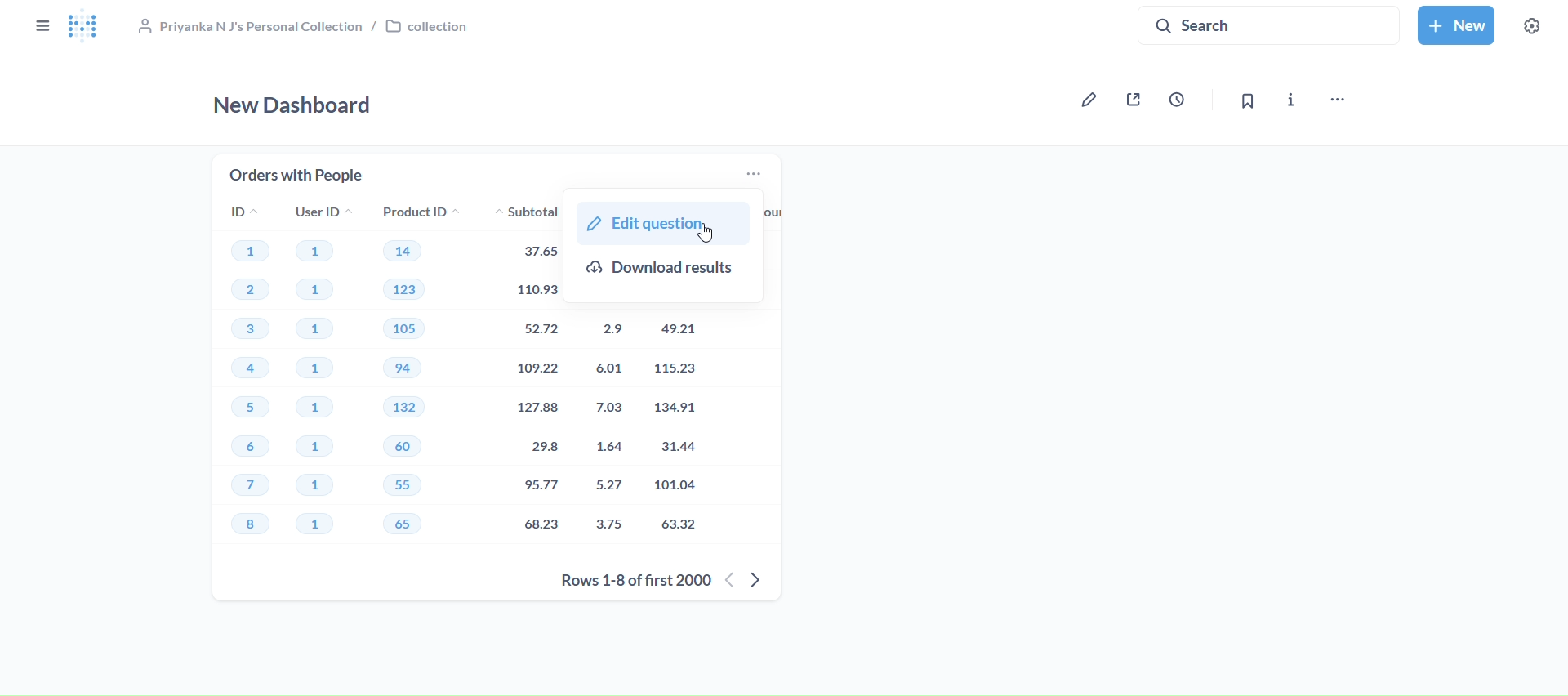 This screenshot has height=696, width=1568. Describe the element at coordinates (668, 273) in the screenshot. I see `download results` at that location.